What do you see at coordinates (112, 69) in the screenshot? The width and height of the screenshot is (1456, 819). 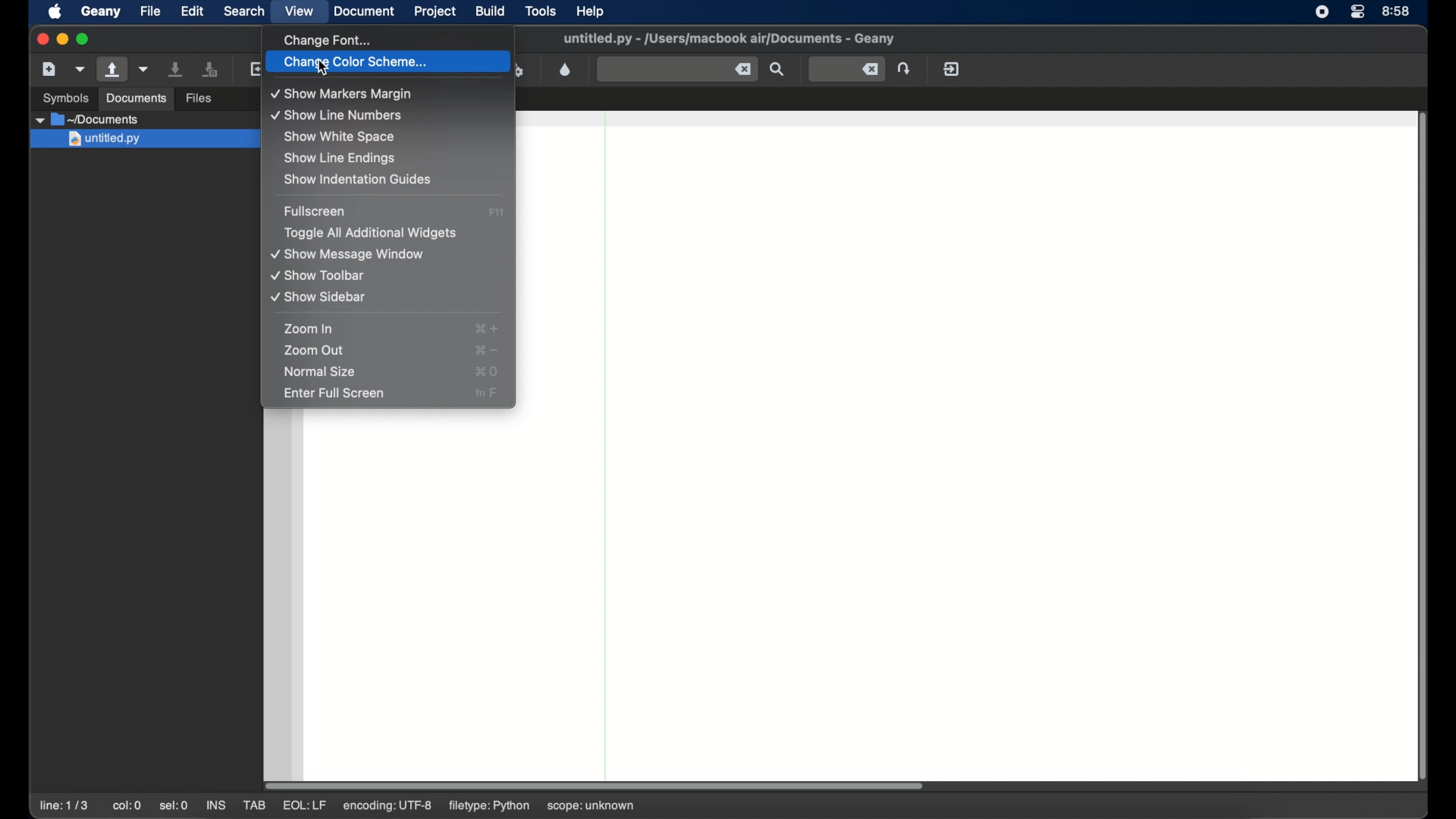 I see `open existing file` at bounding box center [112, 69].